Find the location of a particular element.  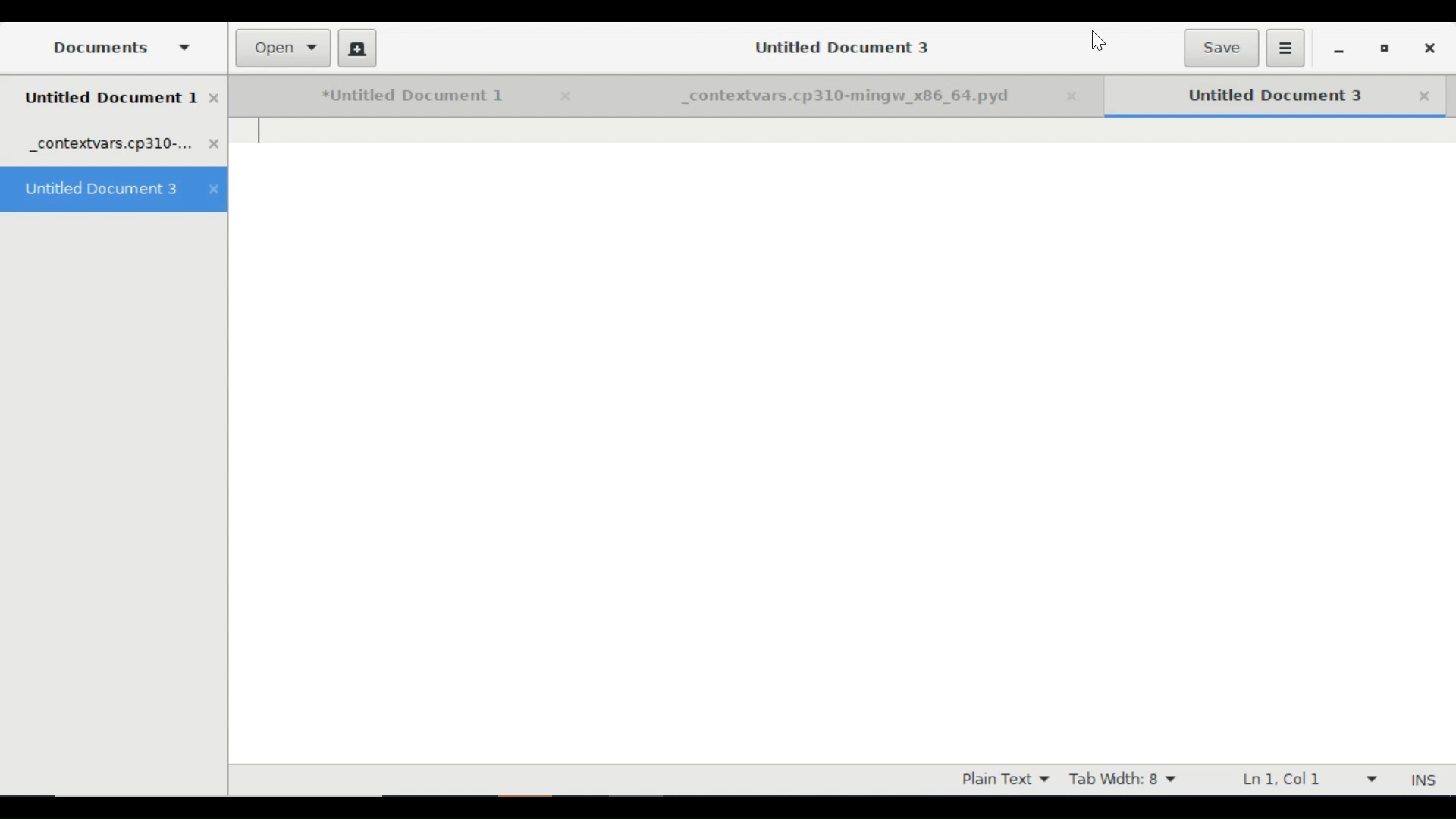

restore is located at coordinates (1385, 51).